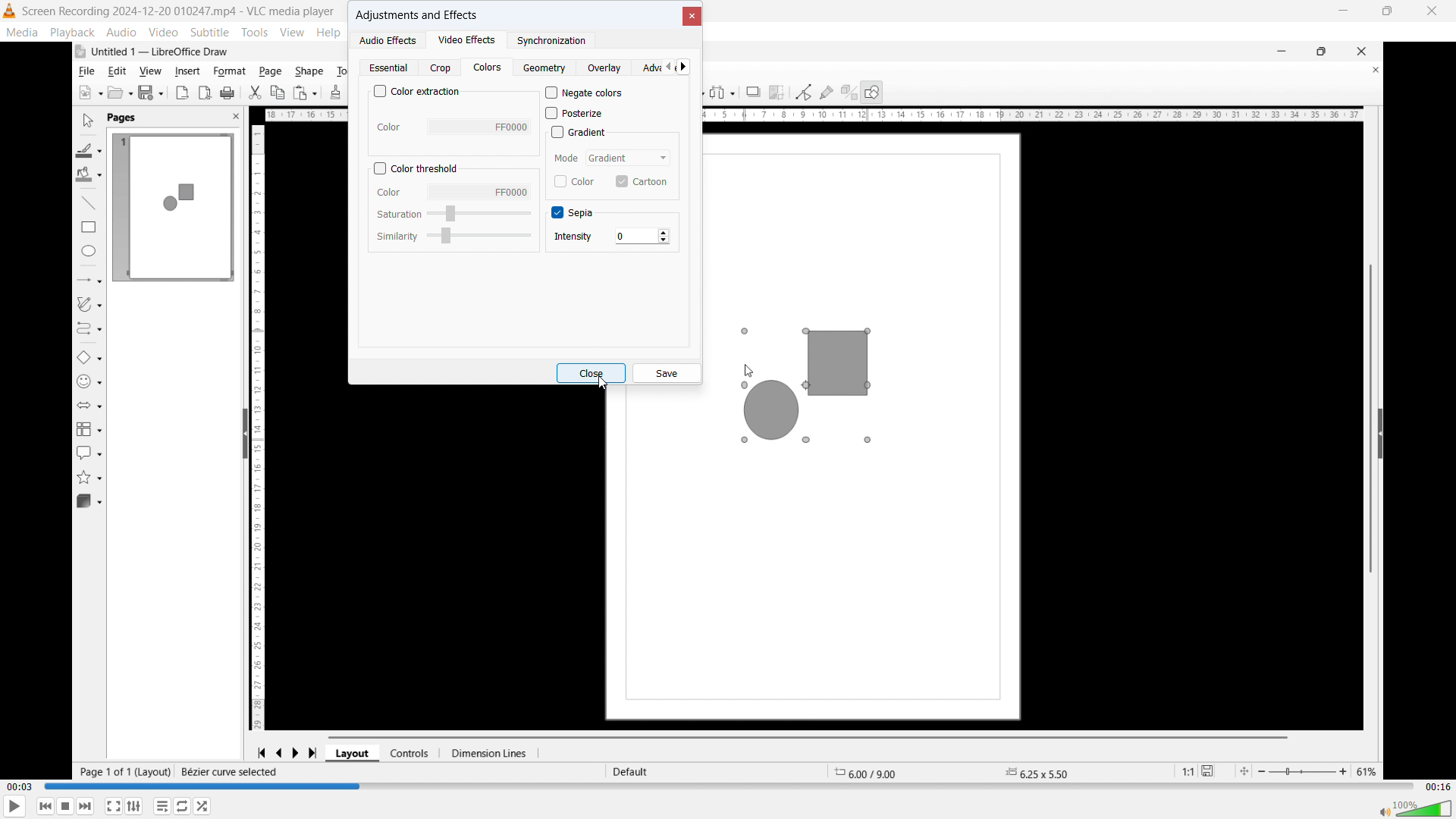 The width and height of the screenshot is (1456, 819). I want to click on Colour extraction , so click(417, 91).